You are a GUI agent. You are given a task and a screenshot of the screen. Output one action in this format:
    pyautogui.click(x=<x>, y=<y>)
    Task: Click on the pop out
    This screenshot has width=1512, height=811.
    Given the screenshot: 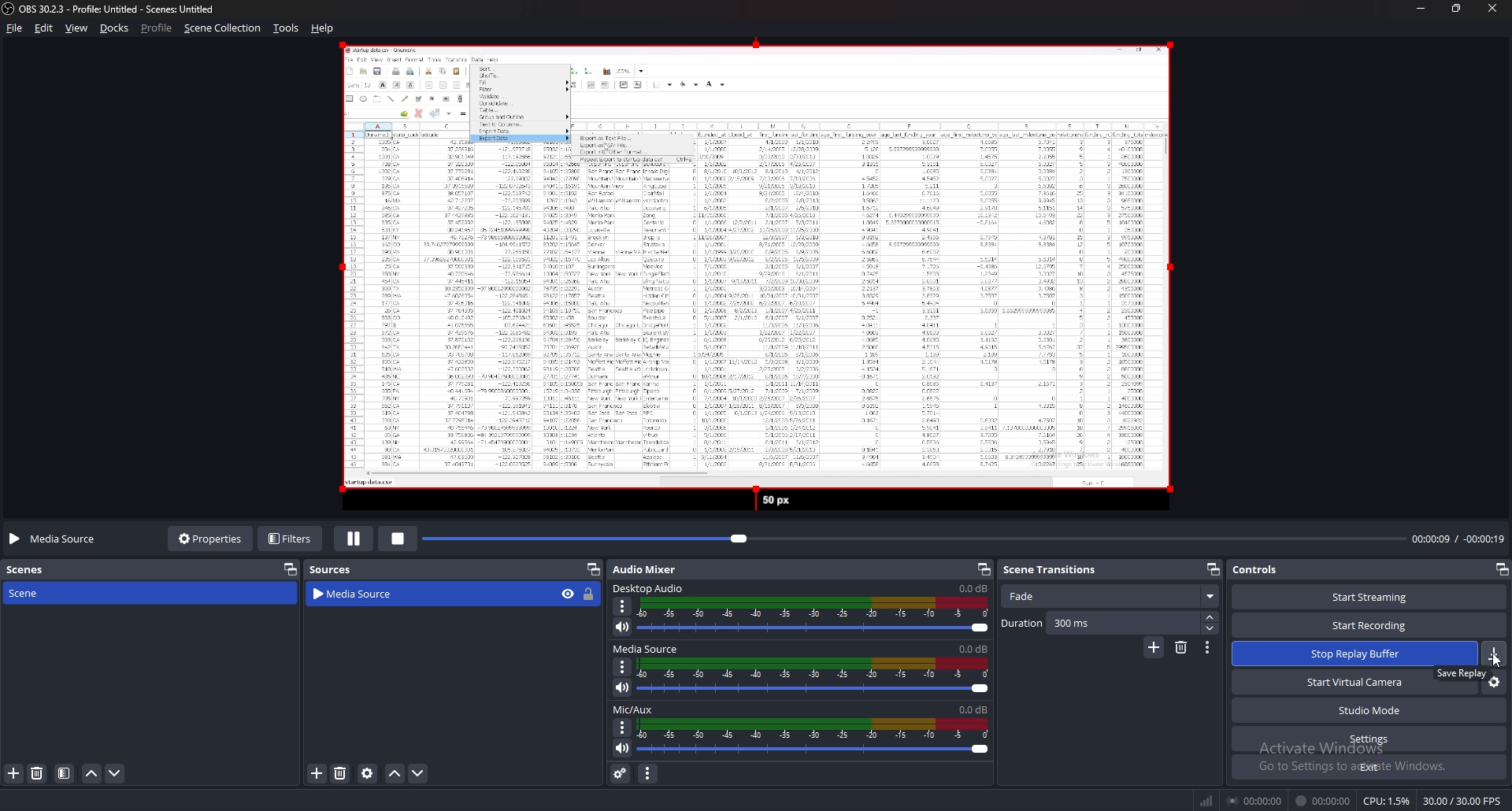 What is the action you would take?
    pyautogui.click(x=593, y=569)
    